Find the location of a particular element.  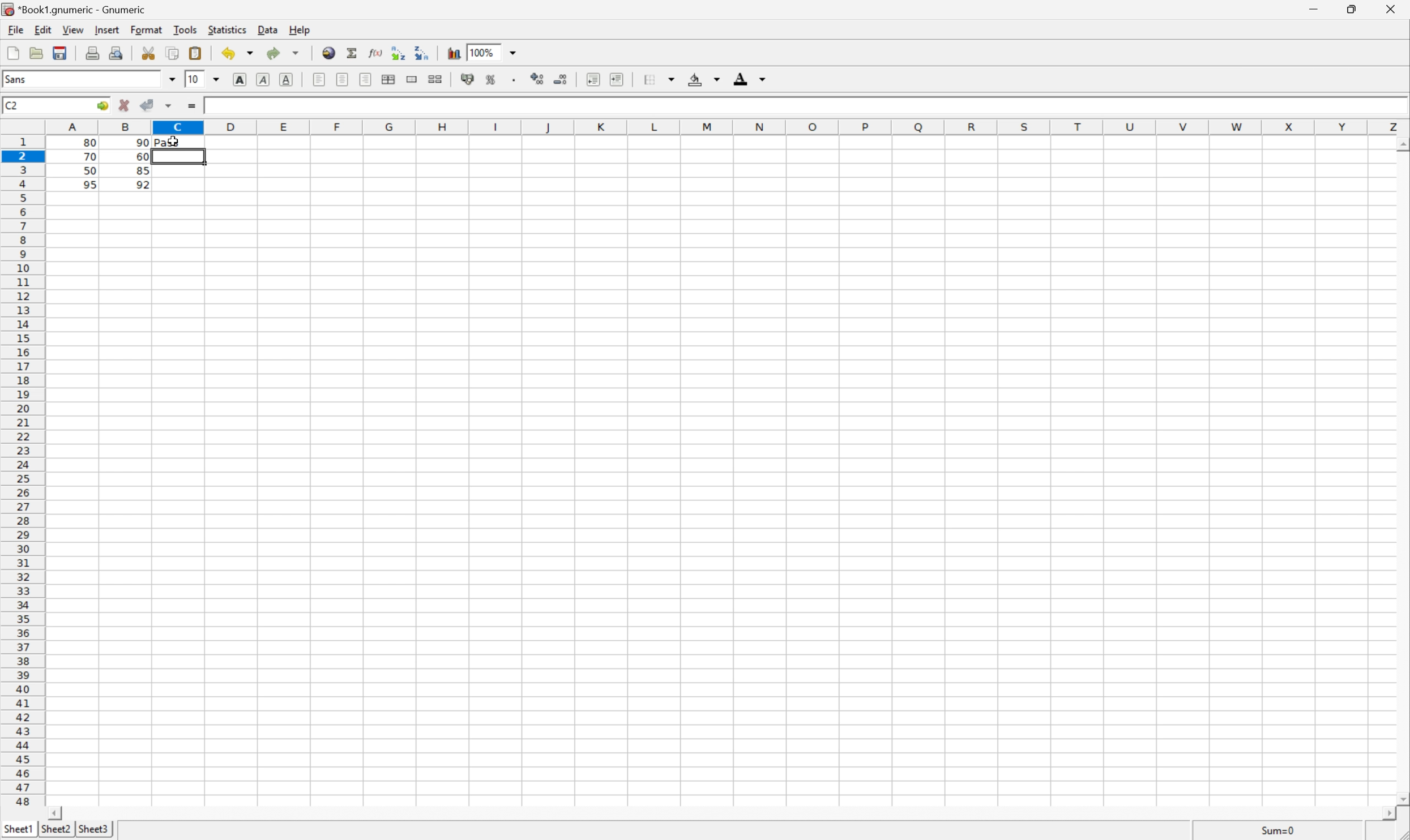

Sheet2 is located at coordinates (55, 829).